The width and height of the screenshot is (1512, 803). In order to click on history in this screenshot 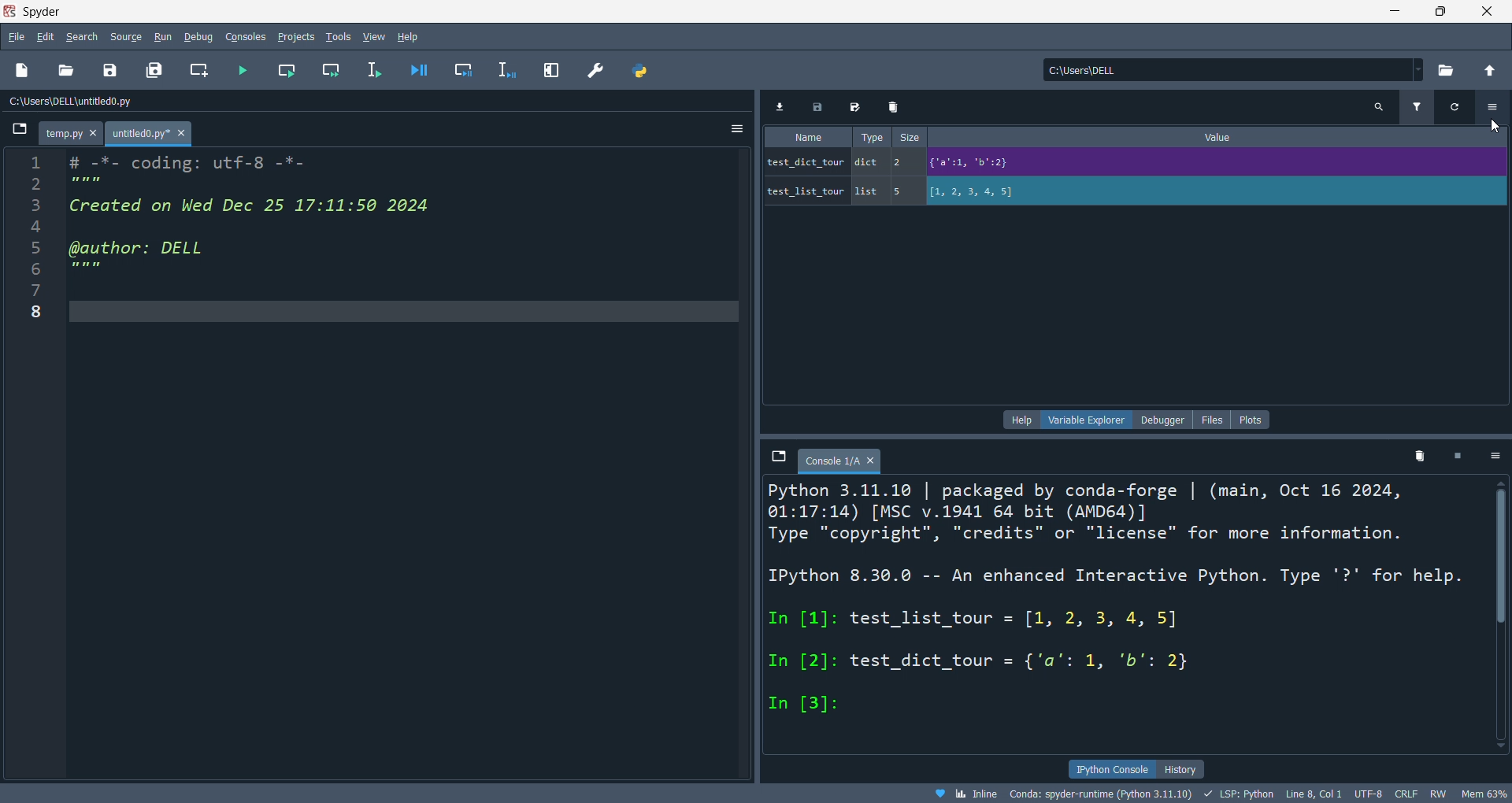, I will do `click(1183, 768)`.